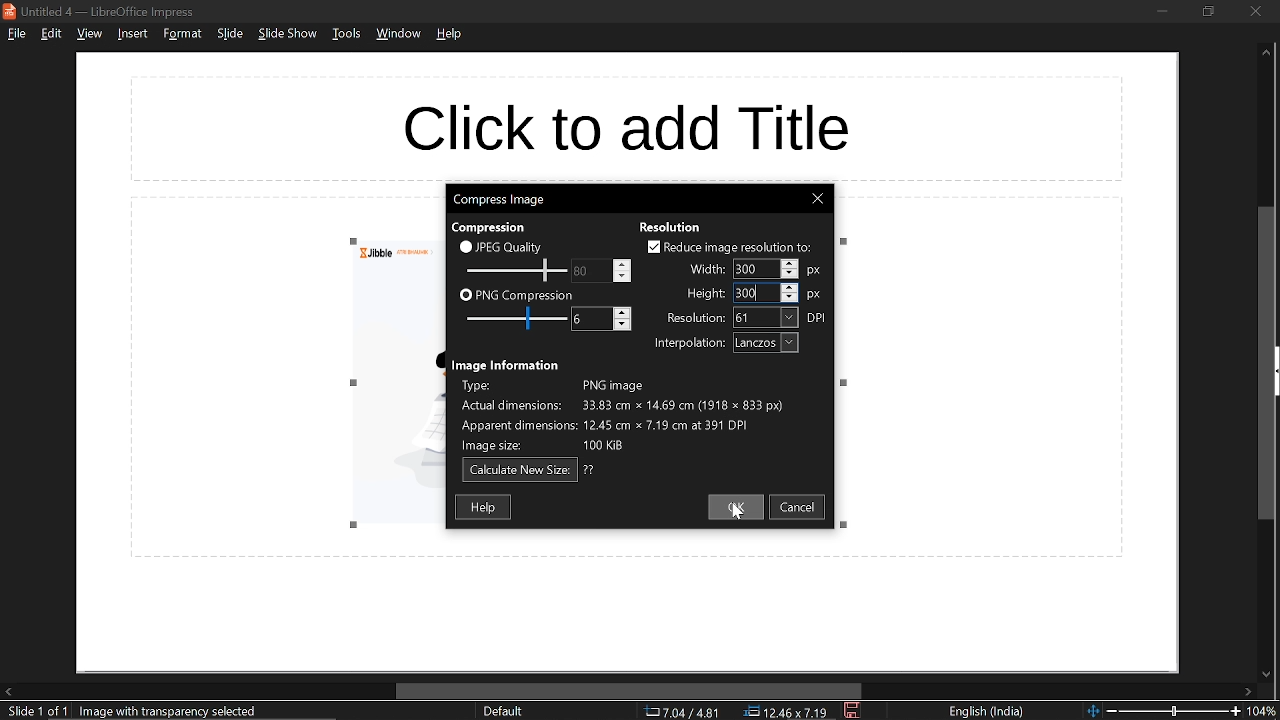  Describe the element at coordinates (345, 37) in the screenshot. I see `tools` at that location.